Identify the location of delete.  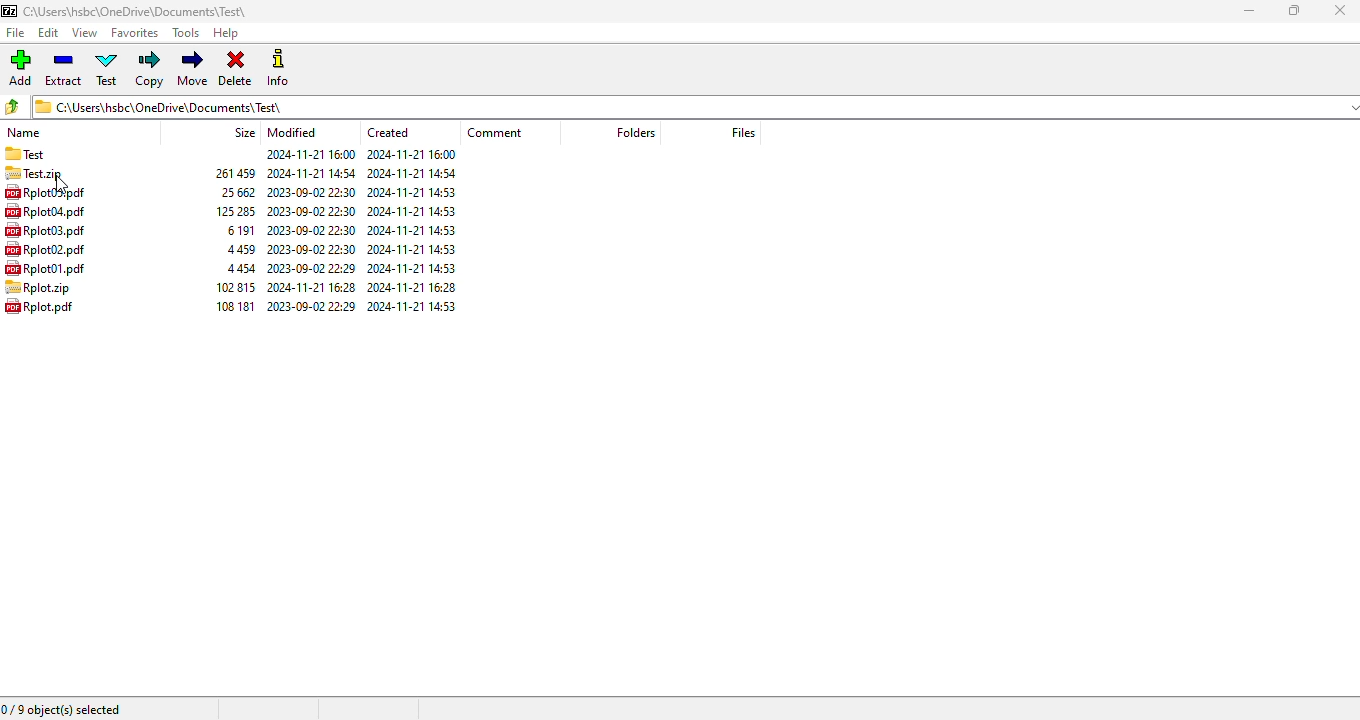
(236, 69).